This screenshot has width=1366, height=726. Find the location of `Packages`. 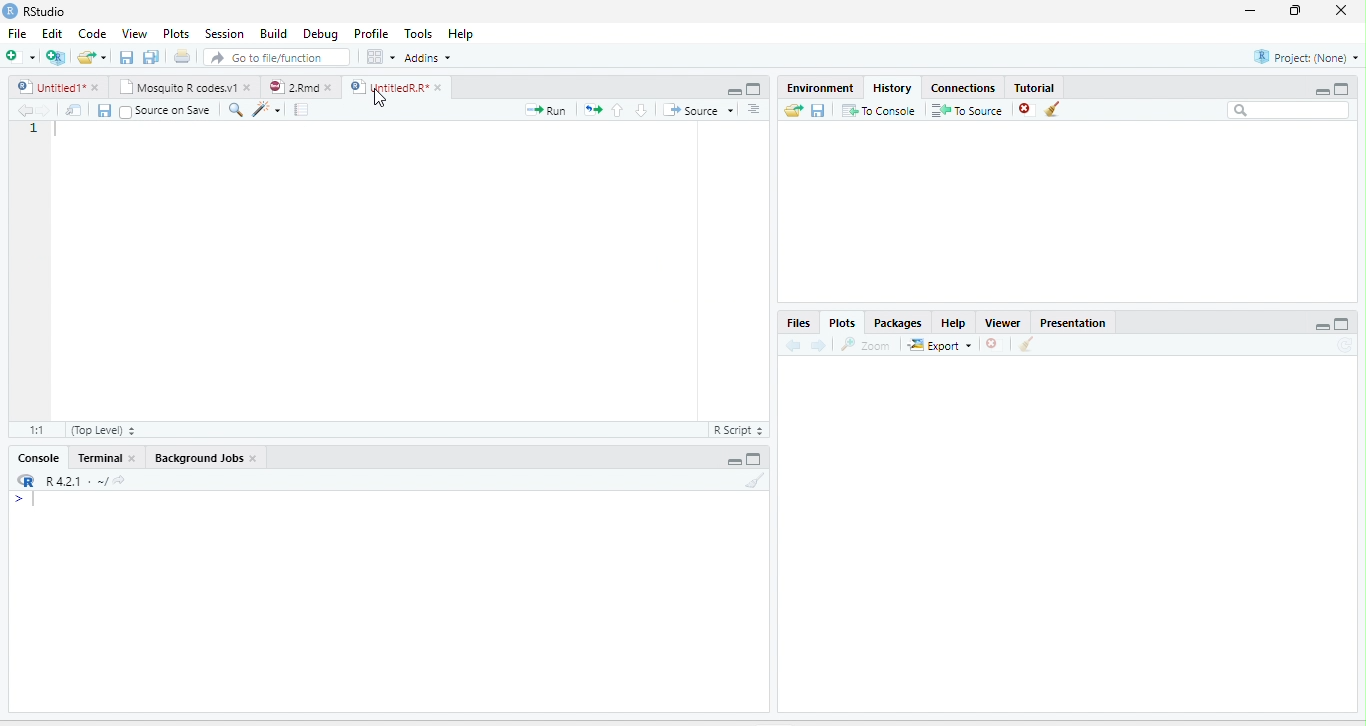

Packages is located at coordinates (897, 322).